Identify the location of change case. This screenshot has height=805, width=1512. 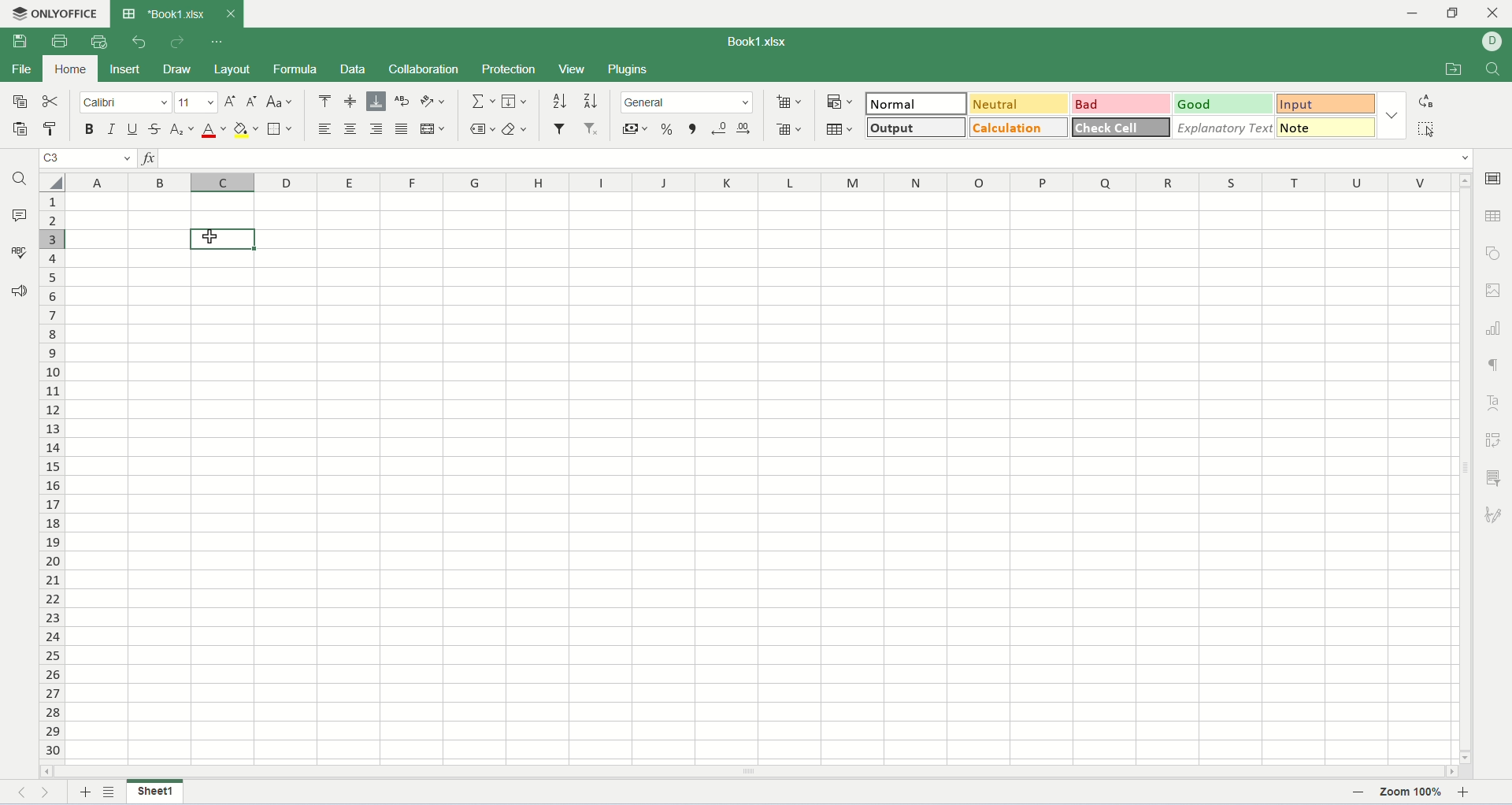
(281, 101).